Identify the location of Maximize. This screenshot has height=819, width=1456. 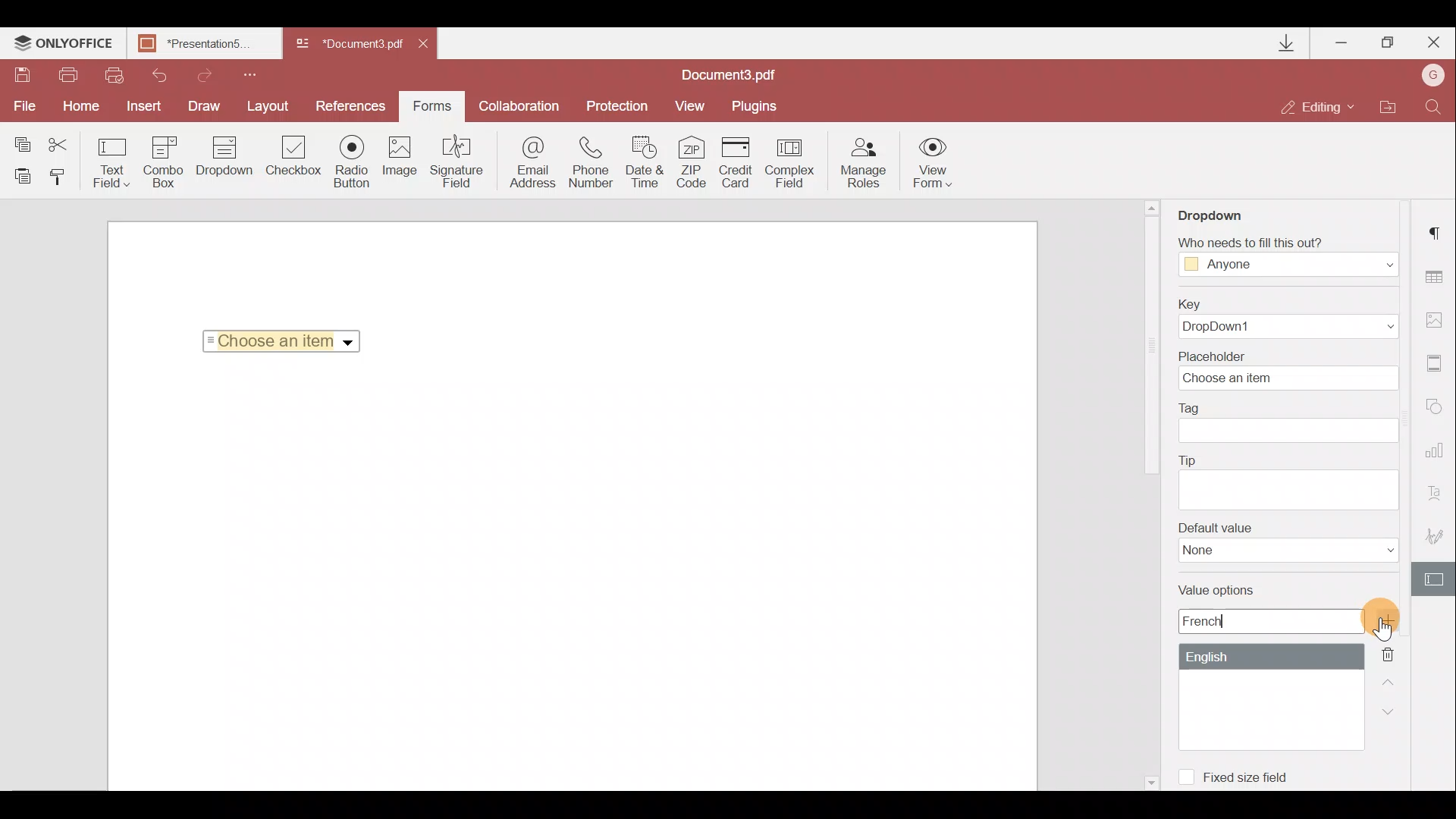
(1389, 42).